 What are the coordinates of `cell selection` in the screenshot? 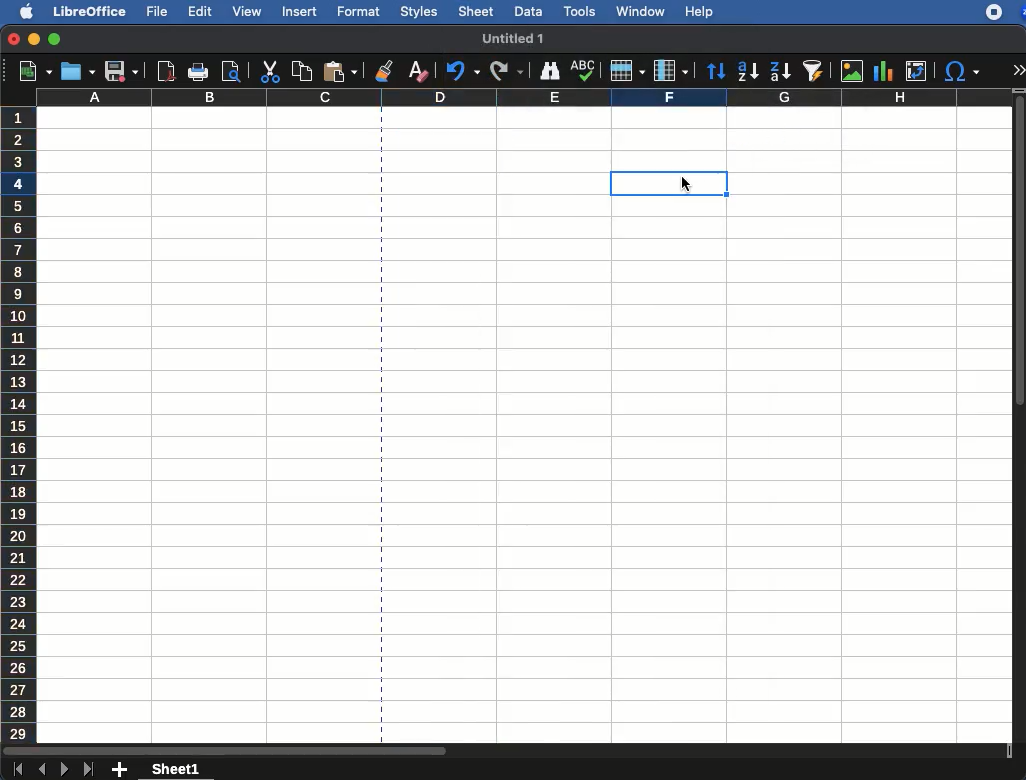 It's located at (641, 183).